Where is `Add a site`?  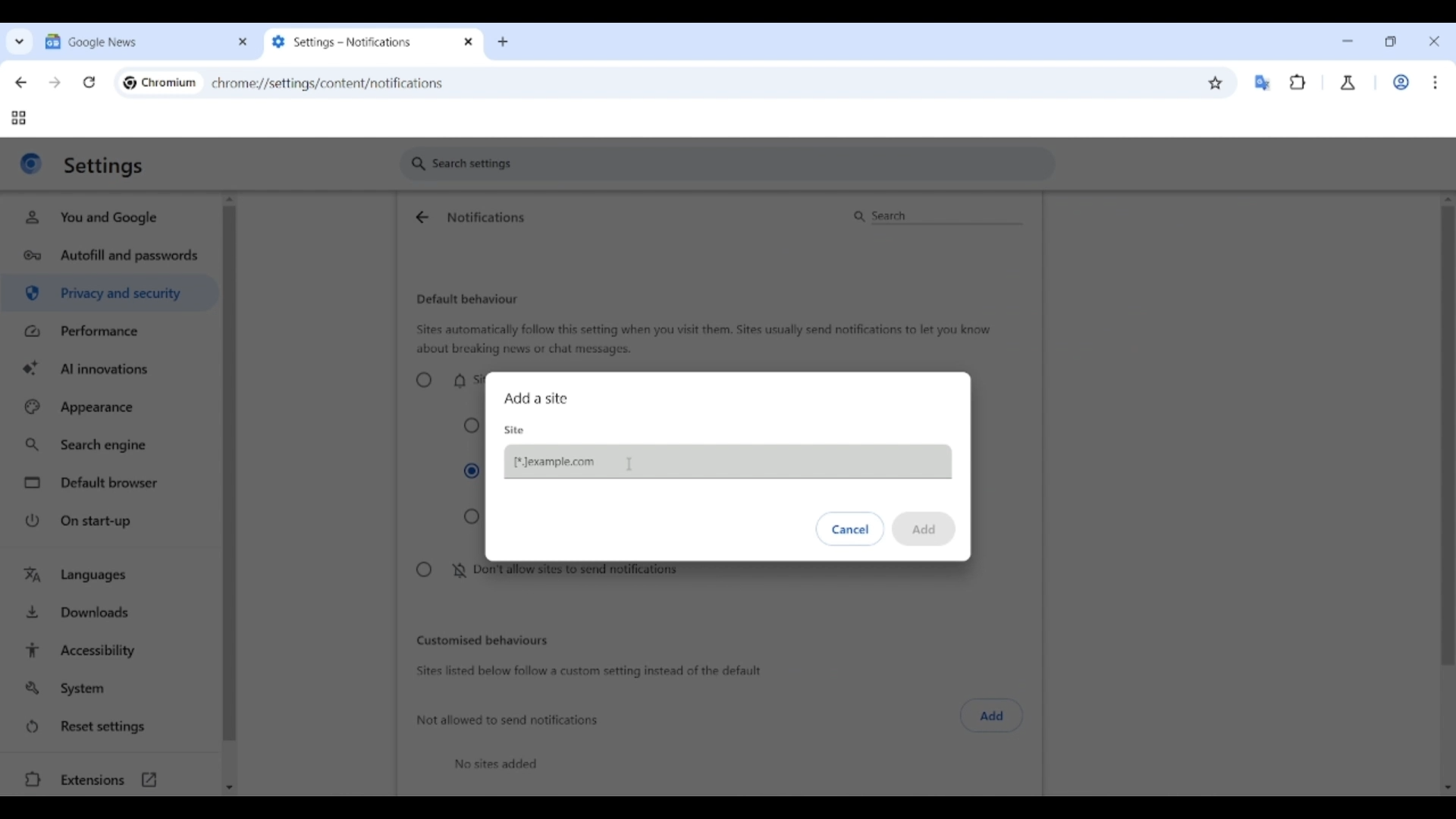 Add a site is located at coordinates (535, 398).